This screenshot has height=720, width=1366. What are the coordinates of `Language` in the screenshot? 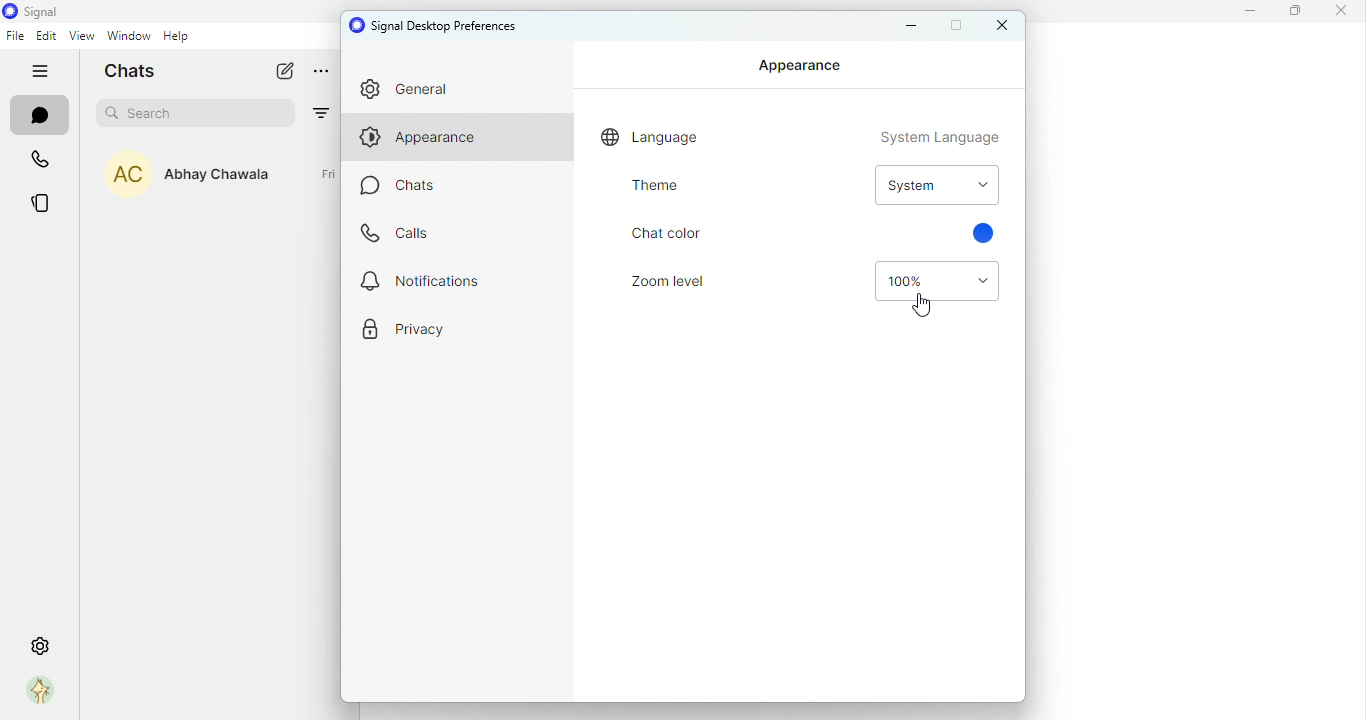 It's located at (796, 138).